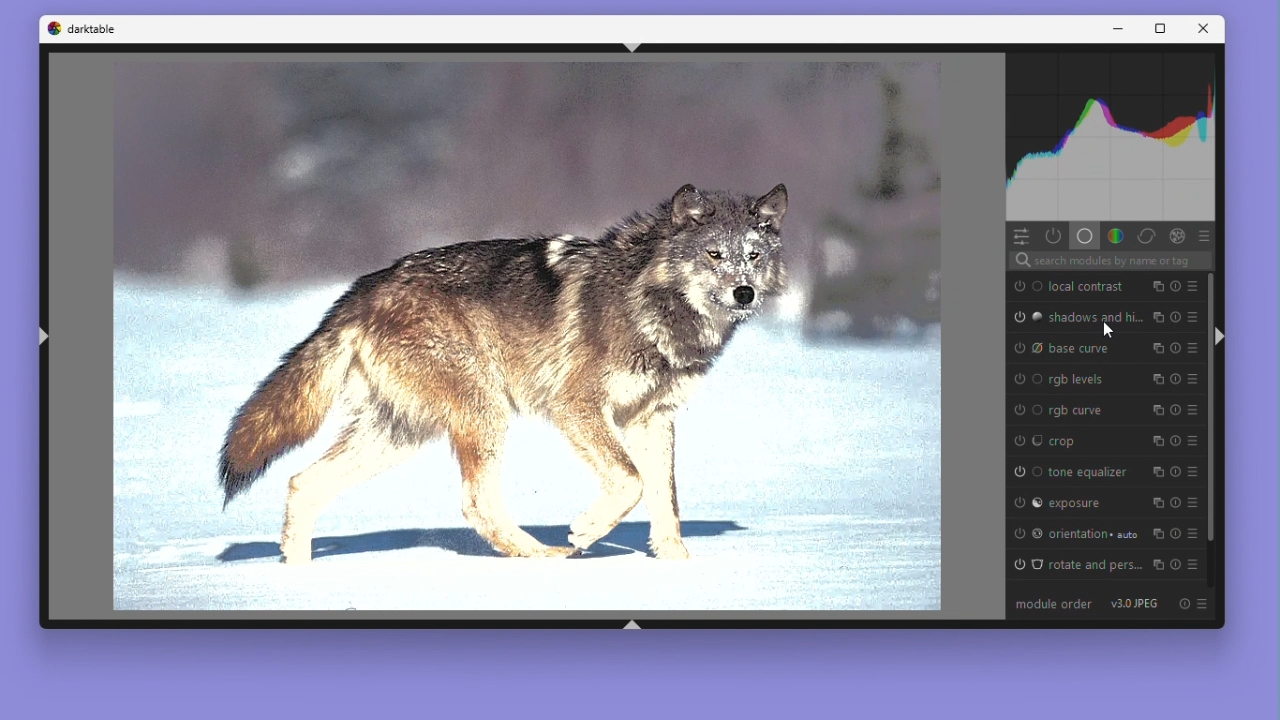 This screenshot has width=1280, height=720. I want to click on rotate and pers..., so click(1096, 563).